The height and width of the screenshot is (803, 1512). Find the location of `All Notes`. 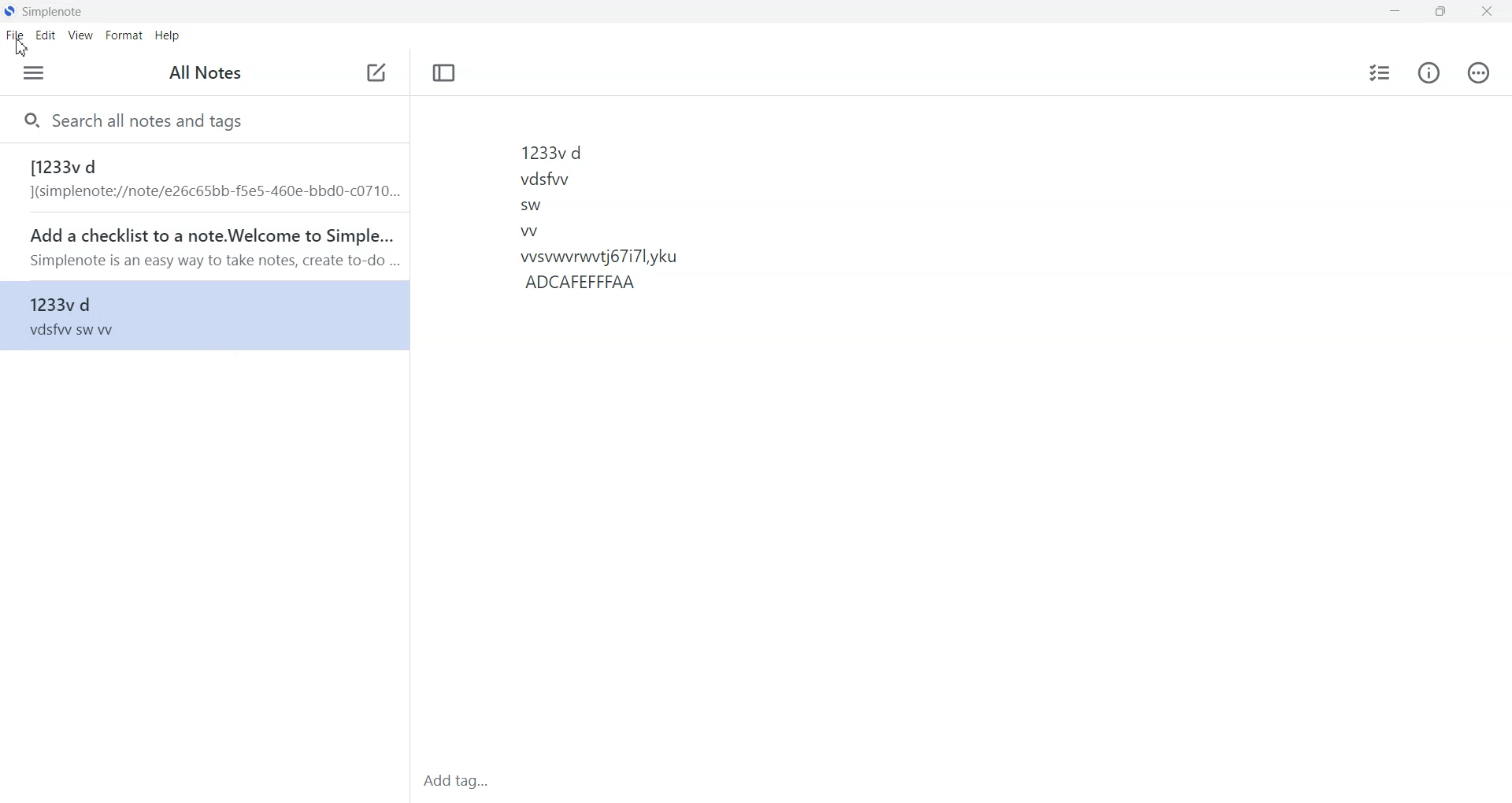

All Notes is located at coordinates (203, 73).